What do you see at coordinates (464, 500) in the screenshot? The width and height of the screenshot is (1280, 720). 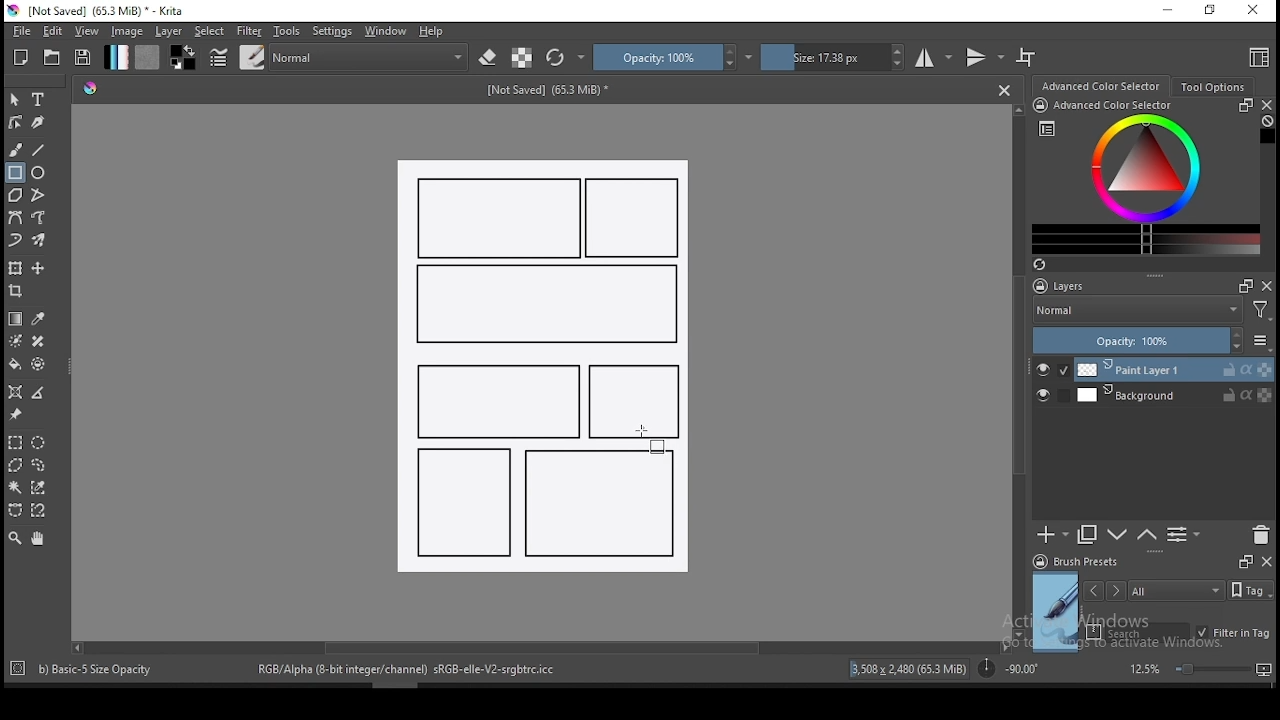 I see `new rectangle` at bounding box center [464, 500].